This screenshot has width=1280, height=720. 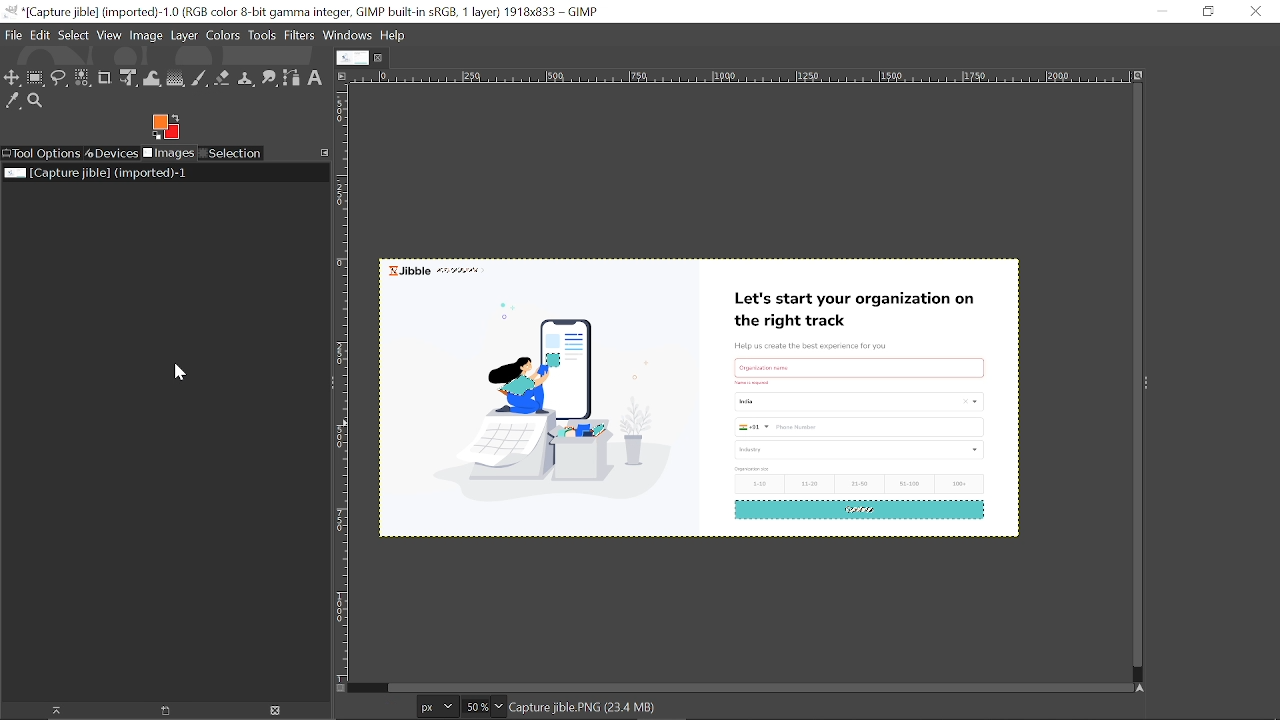 I want to click on cursor, so click(x=84, y=93).